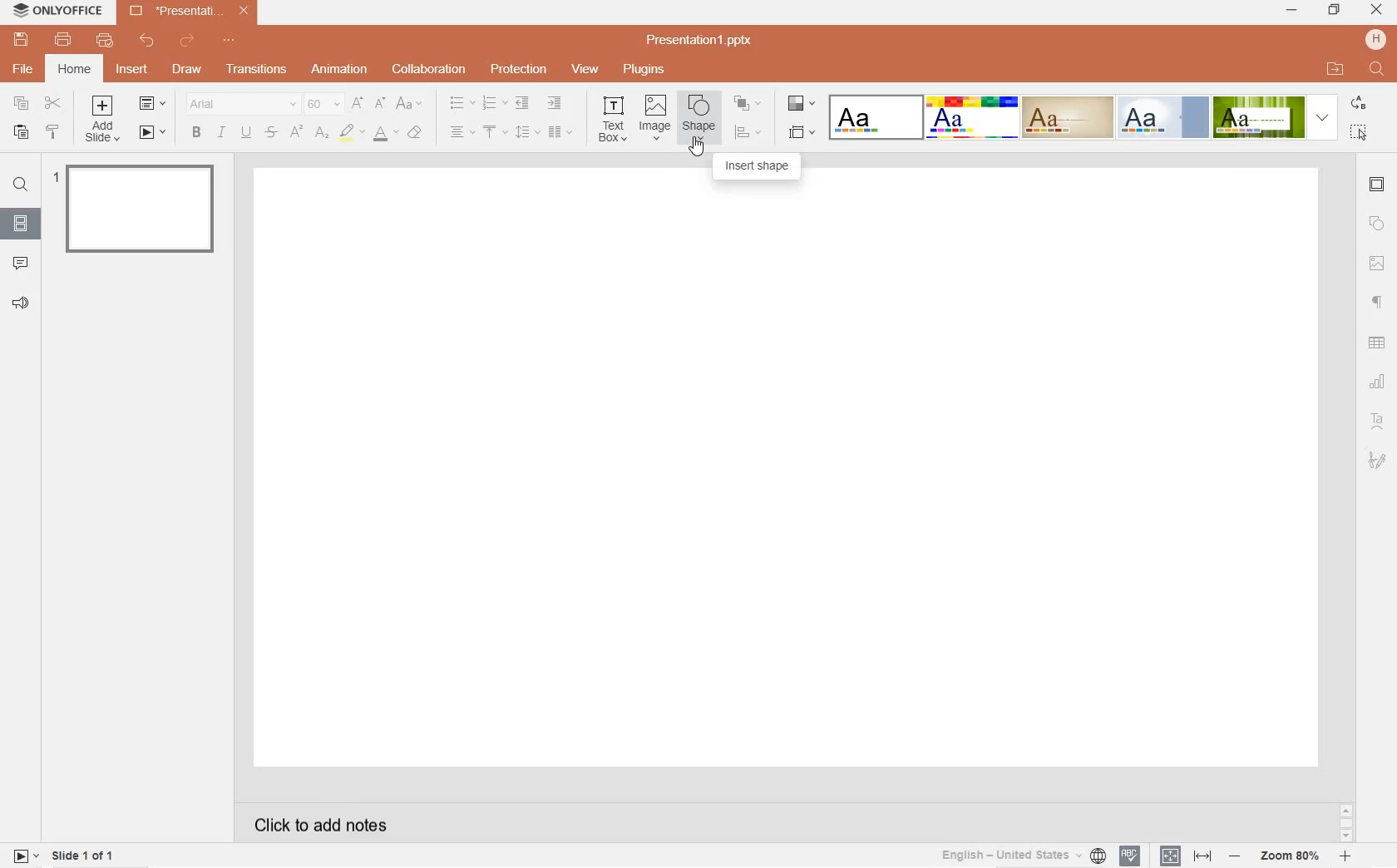  What do you see at coordinates (153, 105) in the screenshot?
I see `change slide layout` at bounding box center [153, 105].